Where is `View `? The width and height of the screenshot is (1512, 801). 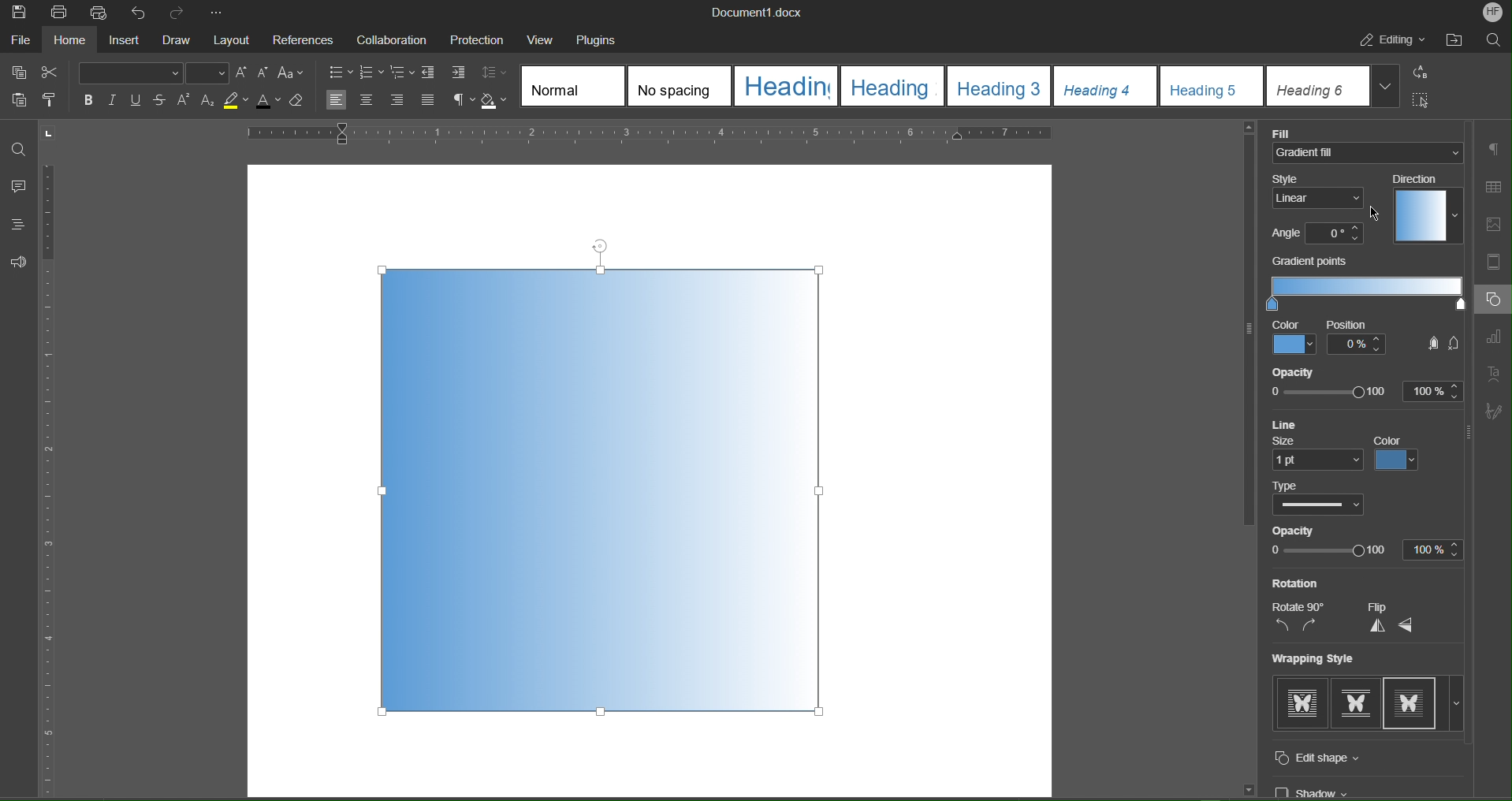
View  is located at coordinates (546, 39).